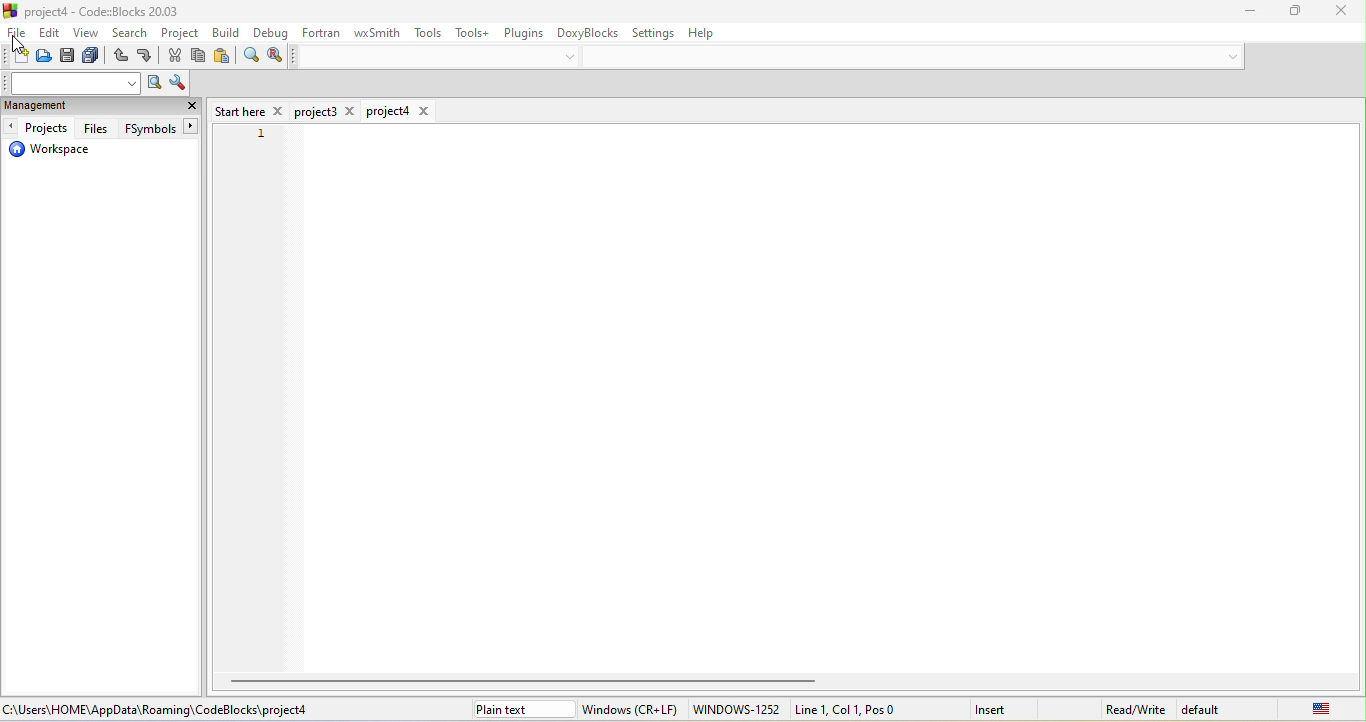 The image size is (1366, 722). Describe the element at coordinates (588, 31) in the screenshot. I see `doxyblocks` at that location.